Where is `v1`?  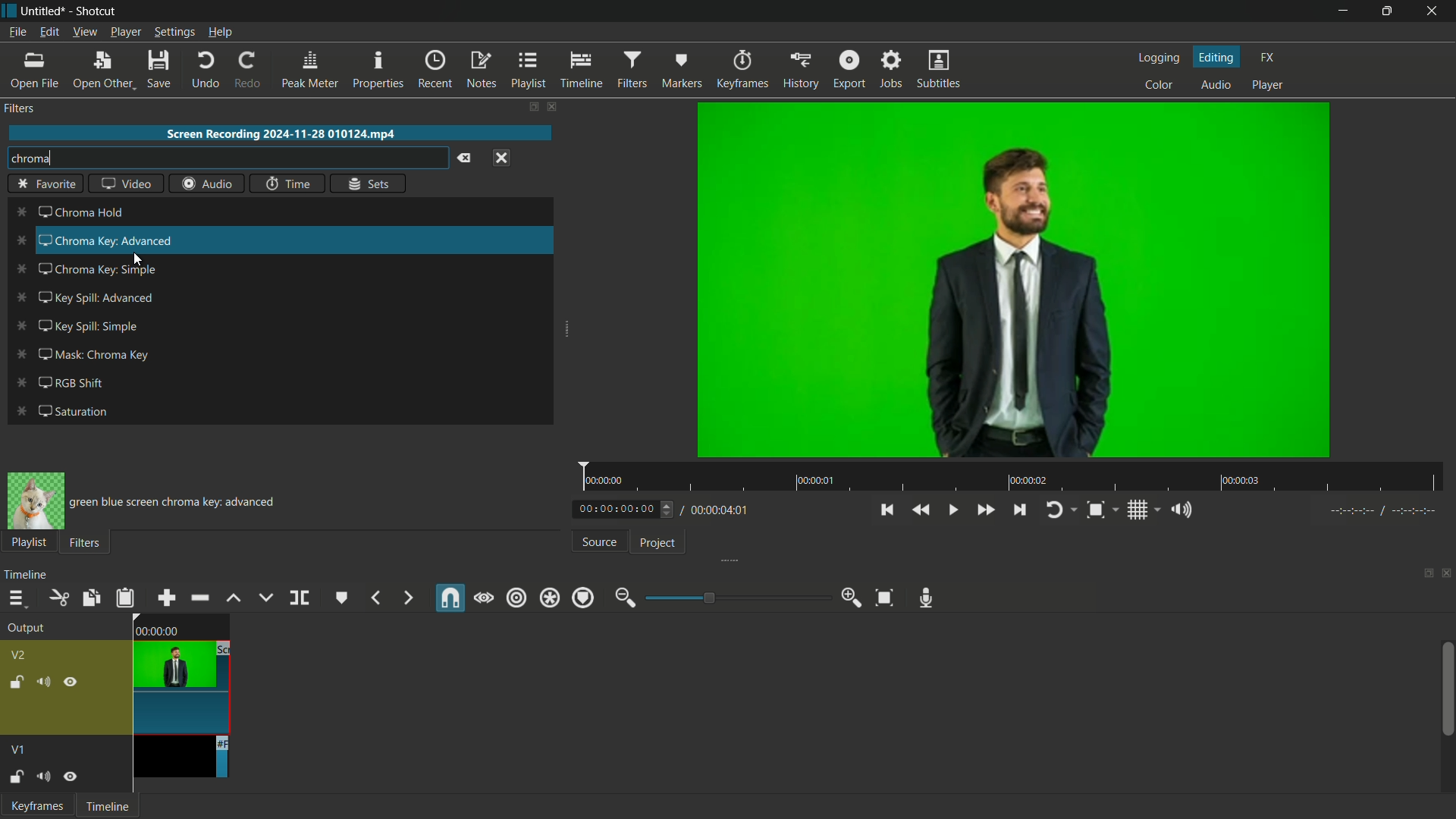 v1 is located at coordinates (20, 750).